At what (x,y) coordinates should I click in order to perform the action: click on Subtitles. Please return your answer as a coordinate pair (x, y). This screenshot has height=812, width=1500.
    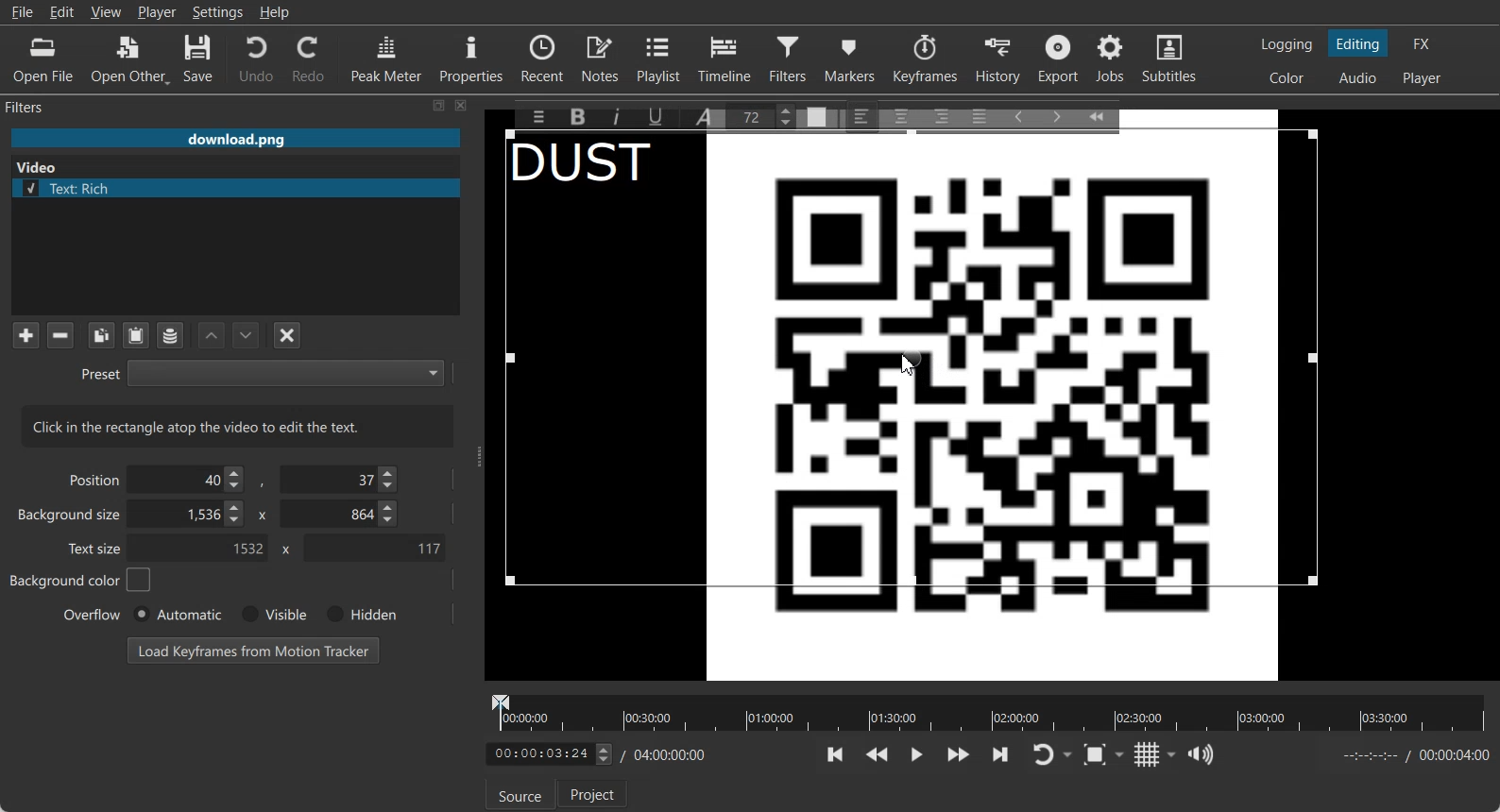
    Looking at the image, I should click on (1170, 59).